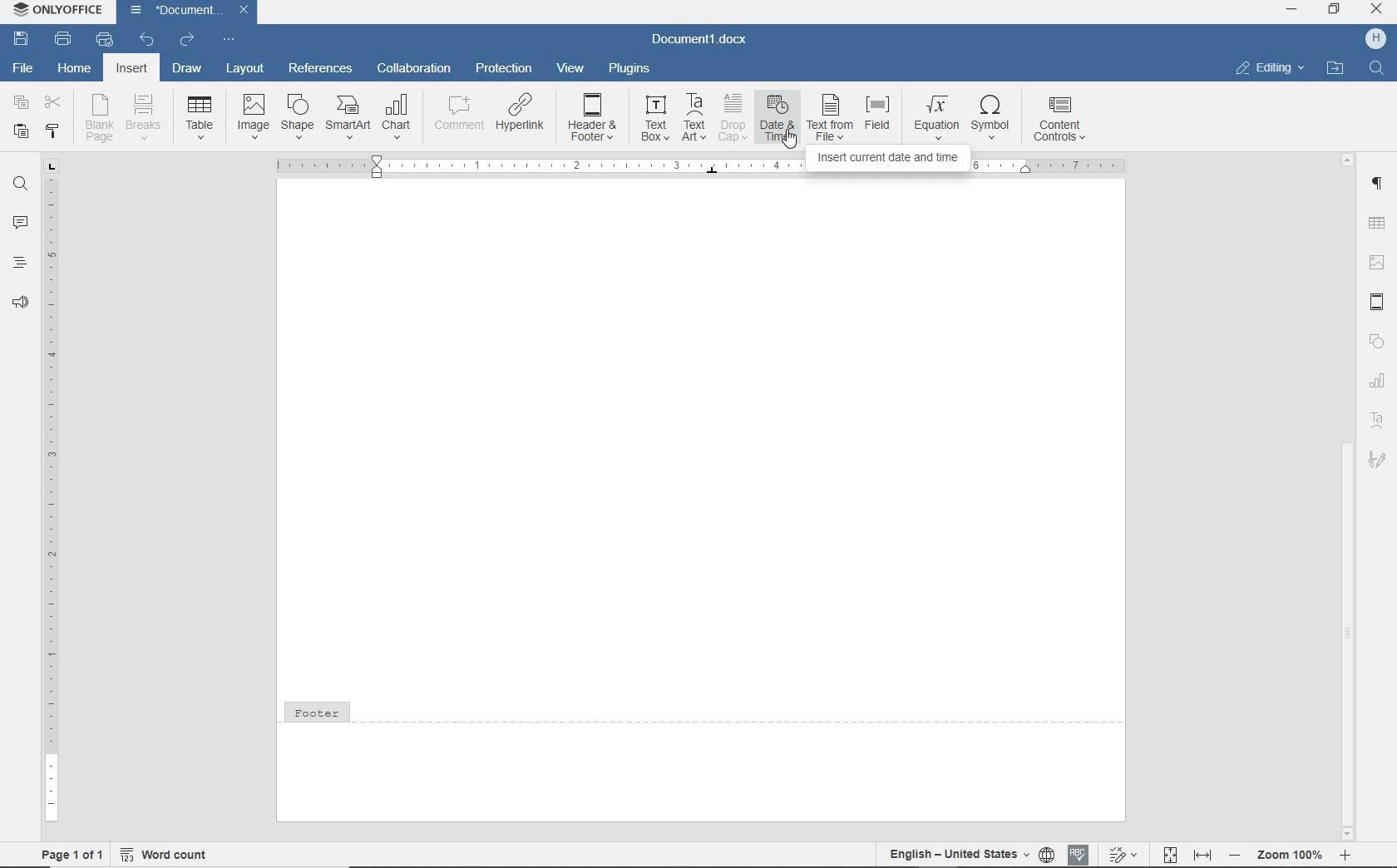 This screenshot has width=1397, height=868. I want to click on ONLYOFFICE, so click(55, 12).